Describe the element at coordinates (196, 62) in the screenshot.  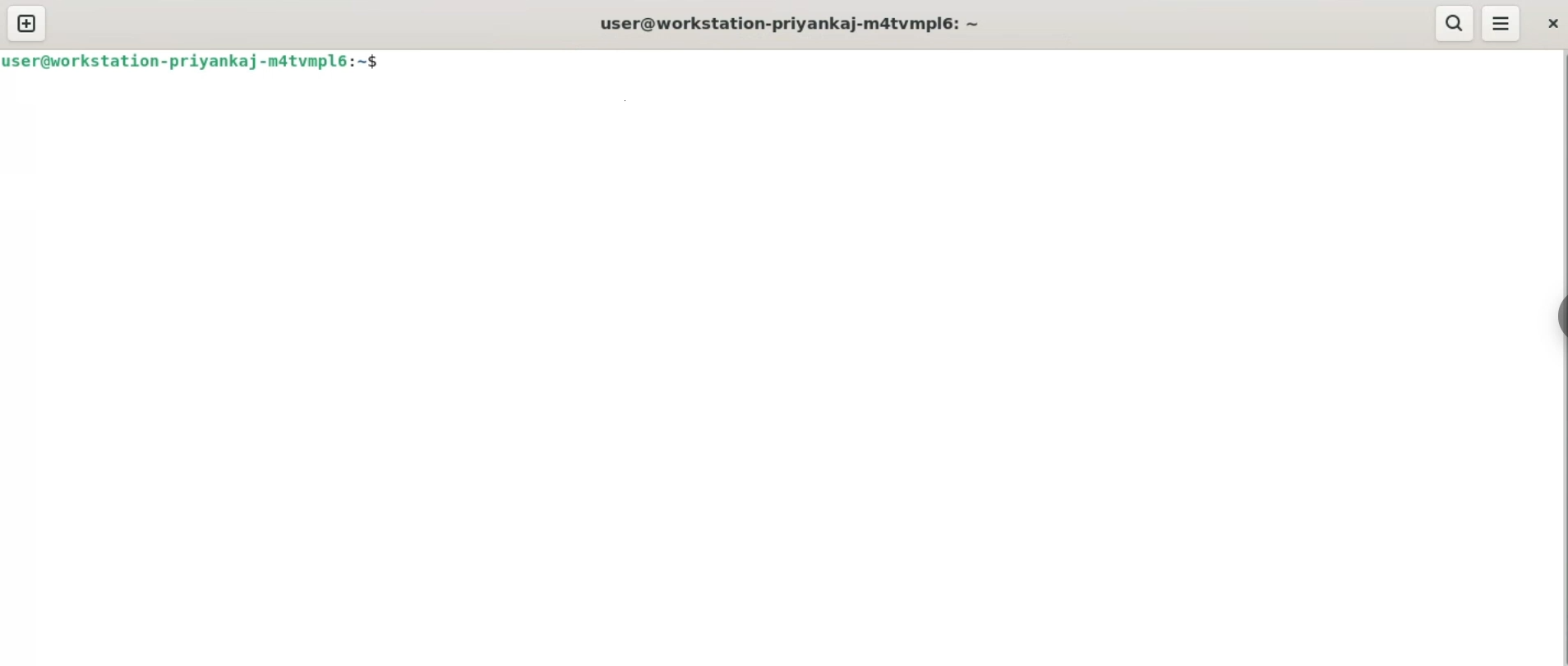
I see `user@workstation-priyankaj-m4tvmplé:~$` at that location.